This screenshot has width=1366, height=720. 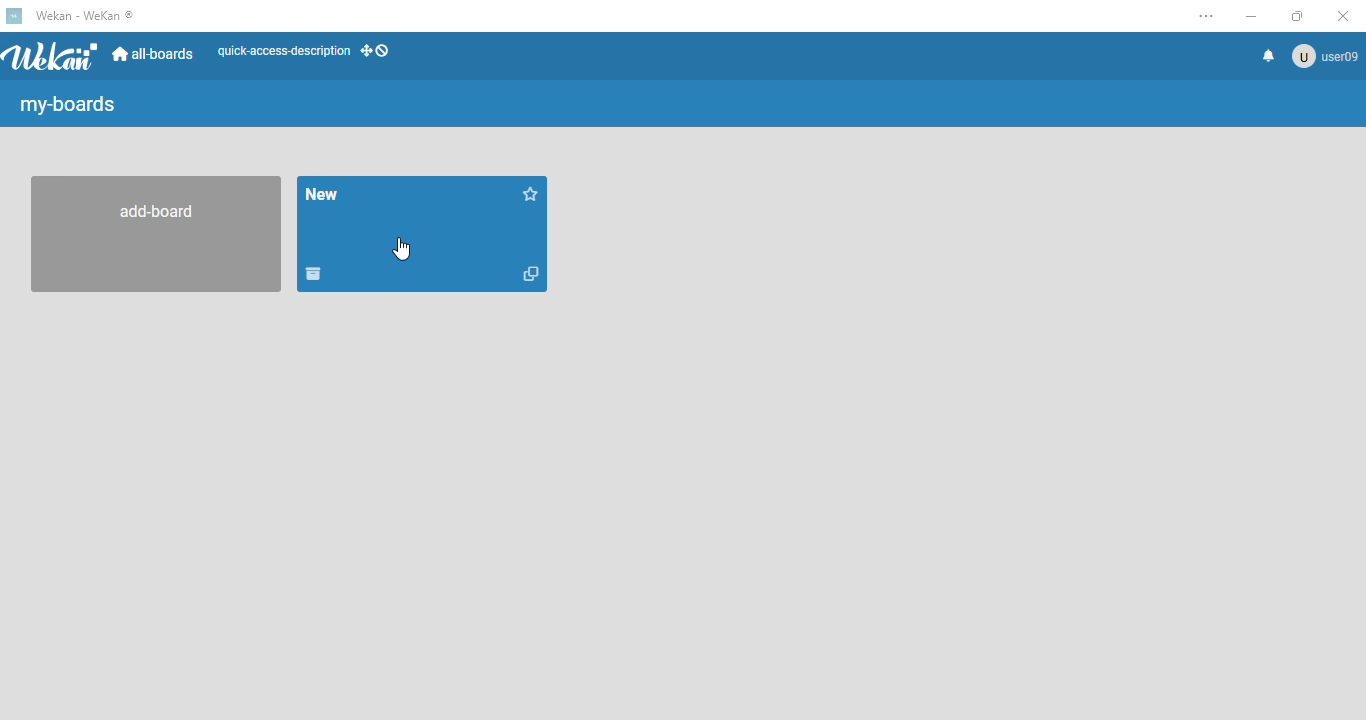 What do you see at coordinates (1296, 15) in the screenshot?
I see `maximize` at bounding box center [1296, 15].